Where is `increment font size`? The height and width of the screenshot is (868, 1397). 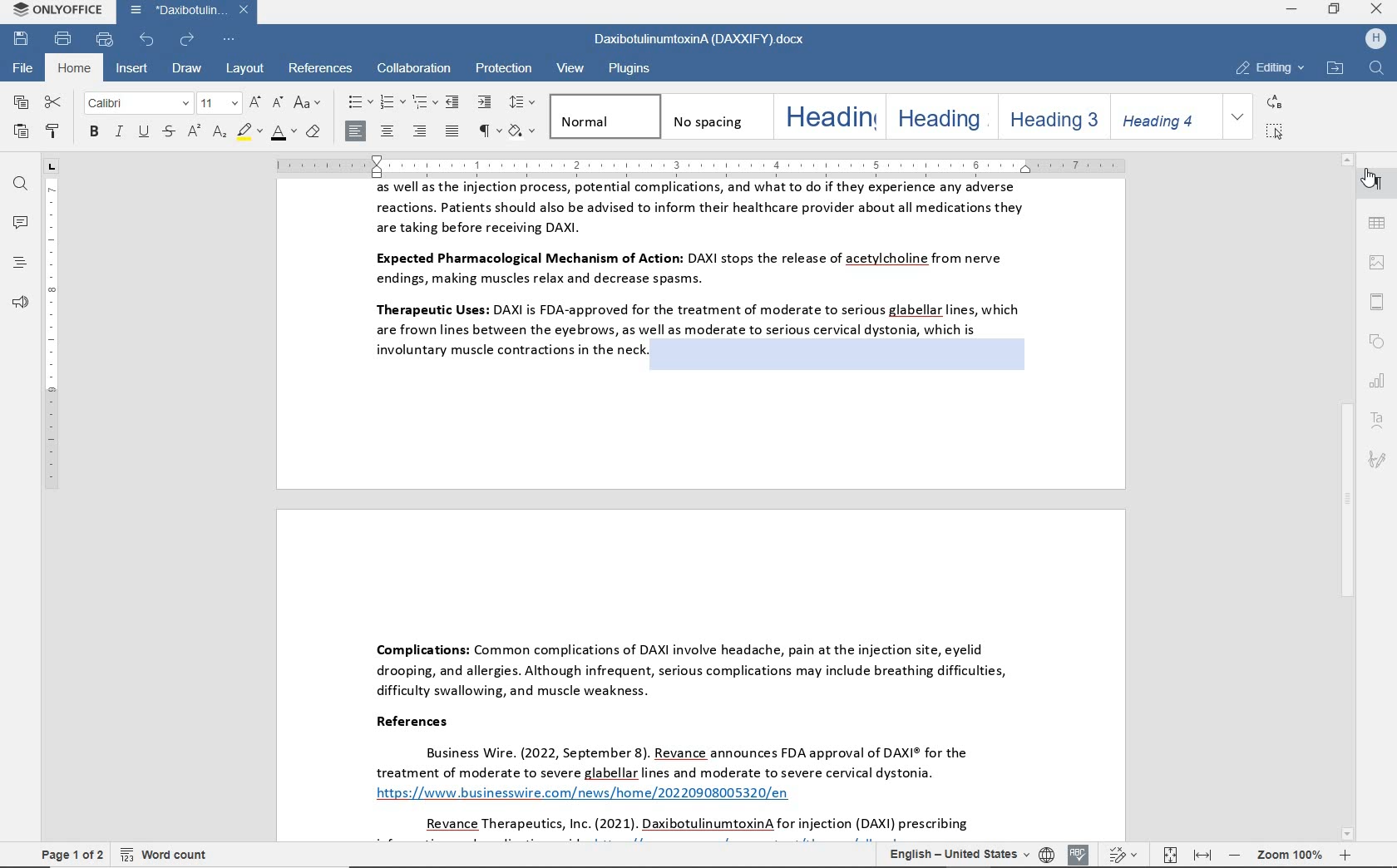 increment font size is located at coordinates (253, 102).